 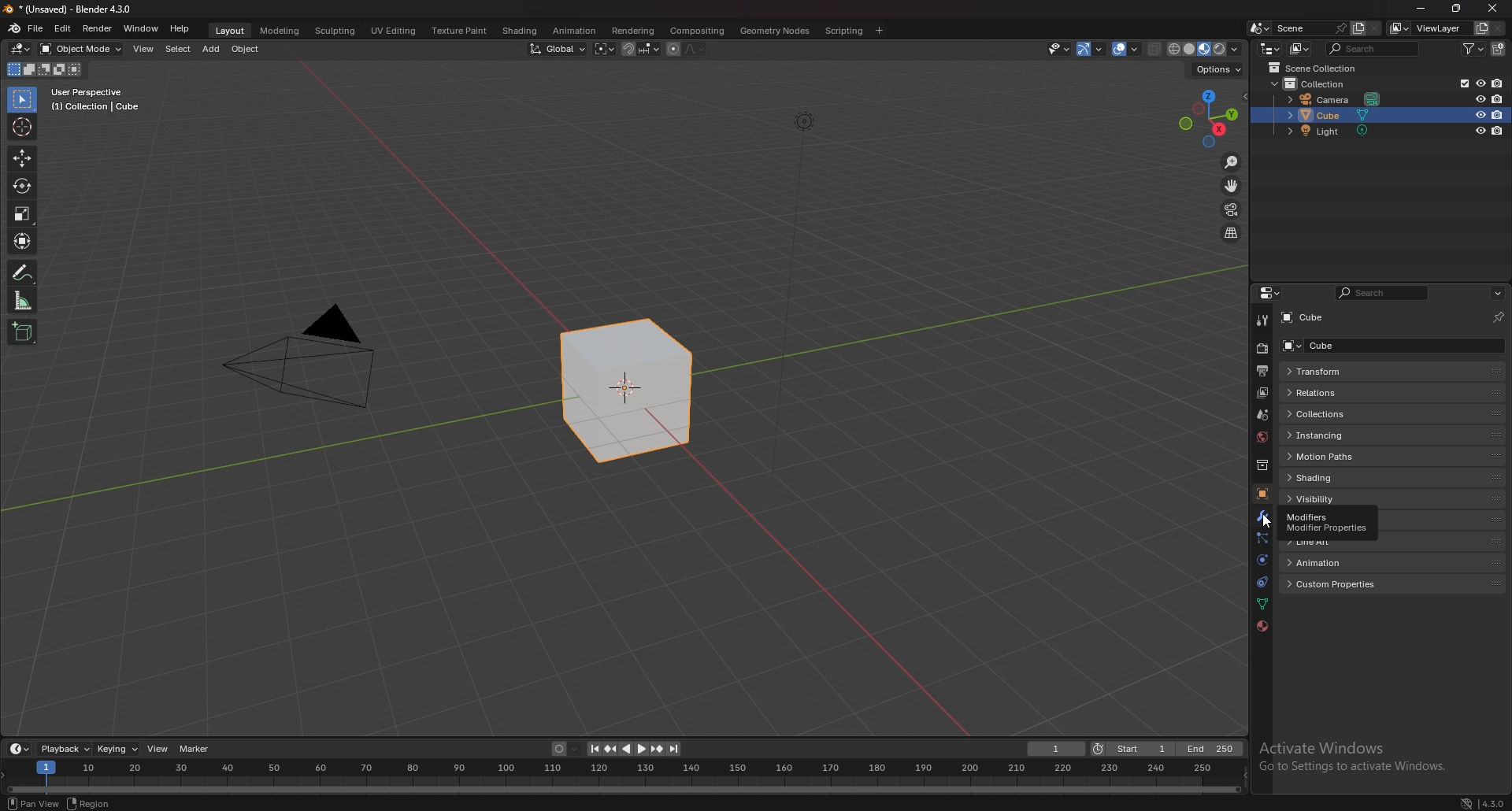 What do you see at coordinates (14, 27) in the screenshot?
I see `blender` at bounding box center [14, 27].